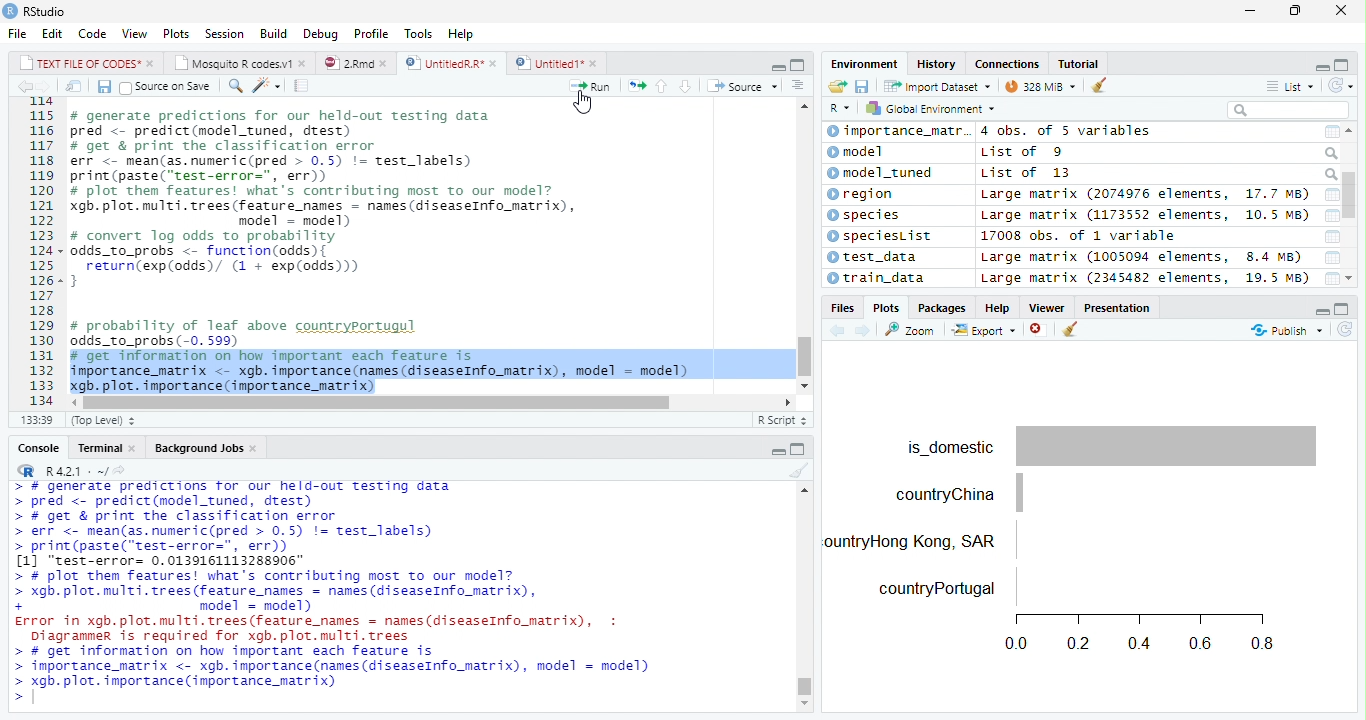 Image resolution: width=1366 pixels, height=720 pixels. What do you see at coordinates (863, 85) in the screenshot?
I see `Save` at bounding box center [863, 85].